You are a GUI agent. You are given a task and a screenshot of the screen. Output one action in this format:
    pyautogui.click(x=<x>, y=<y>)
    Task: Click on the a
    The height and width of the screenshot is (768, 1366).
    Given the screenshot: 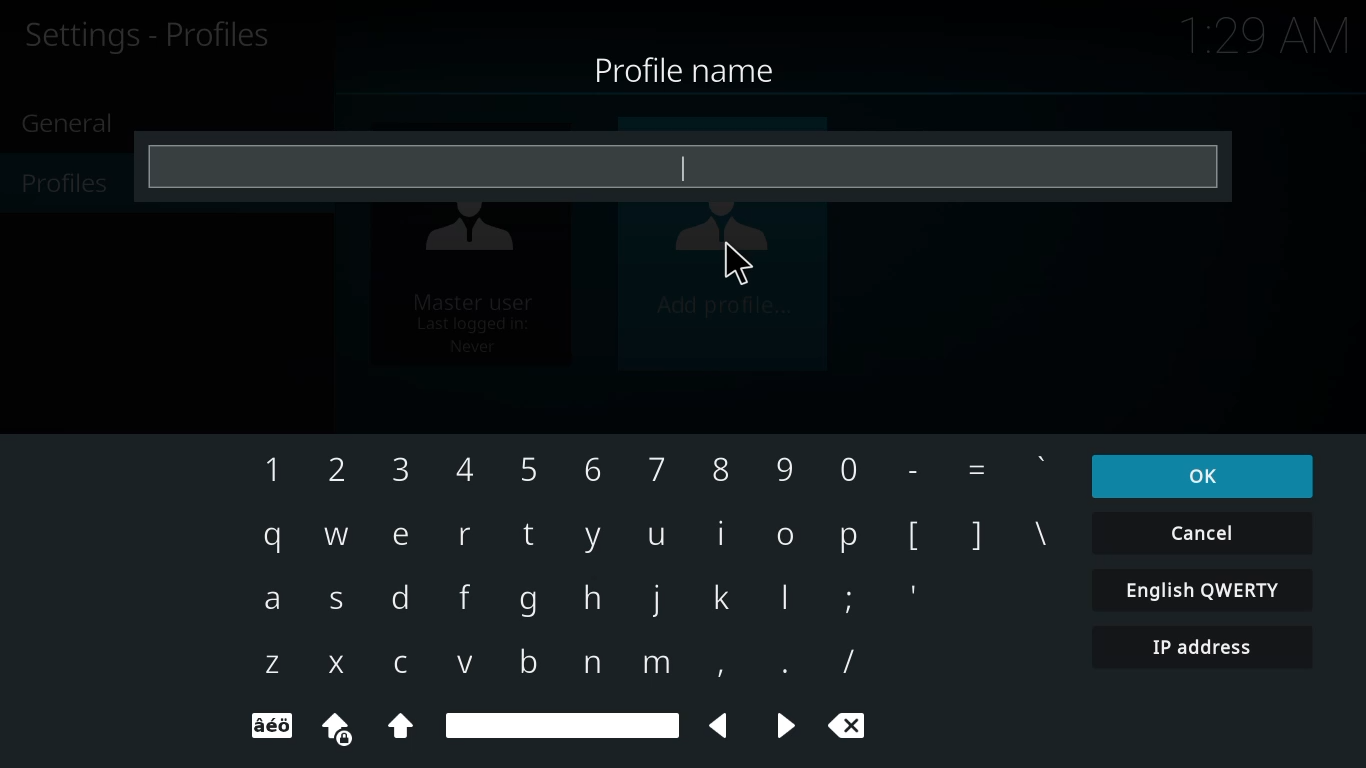 What is the action you would take?
    pyautogui.click(x=269, y=604)
    